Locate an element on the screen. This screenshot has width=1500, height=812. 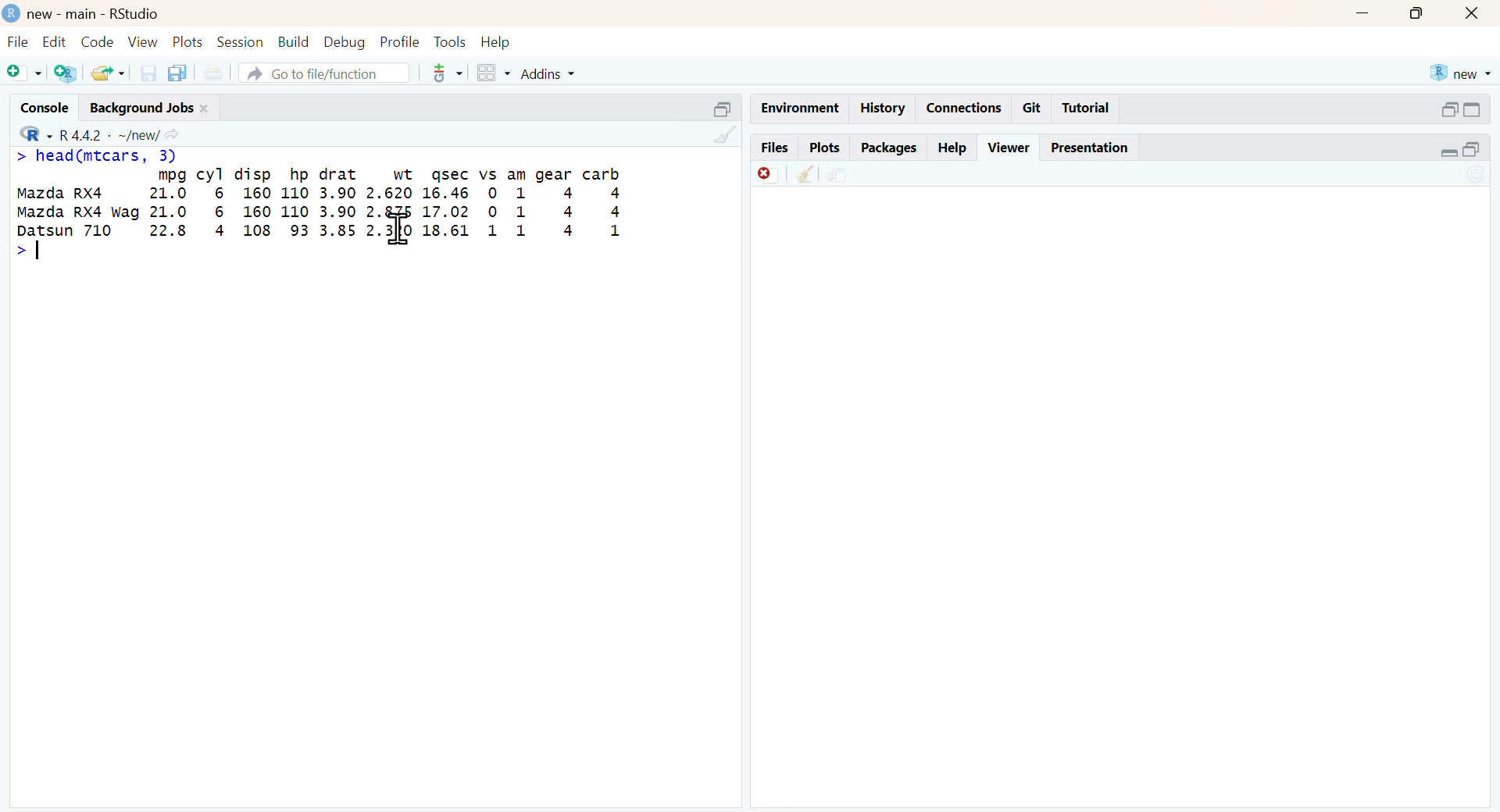
A Go to file/function is located at coordinates (323, 73).